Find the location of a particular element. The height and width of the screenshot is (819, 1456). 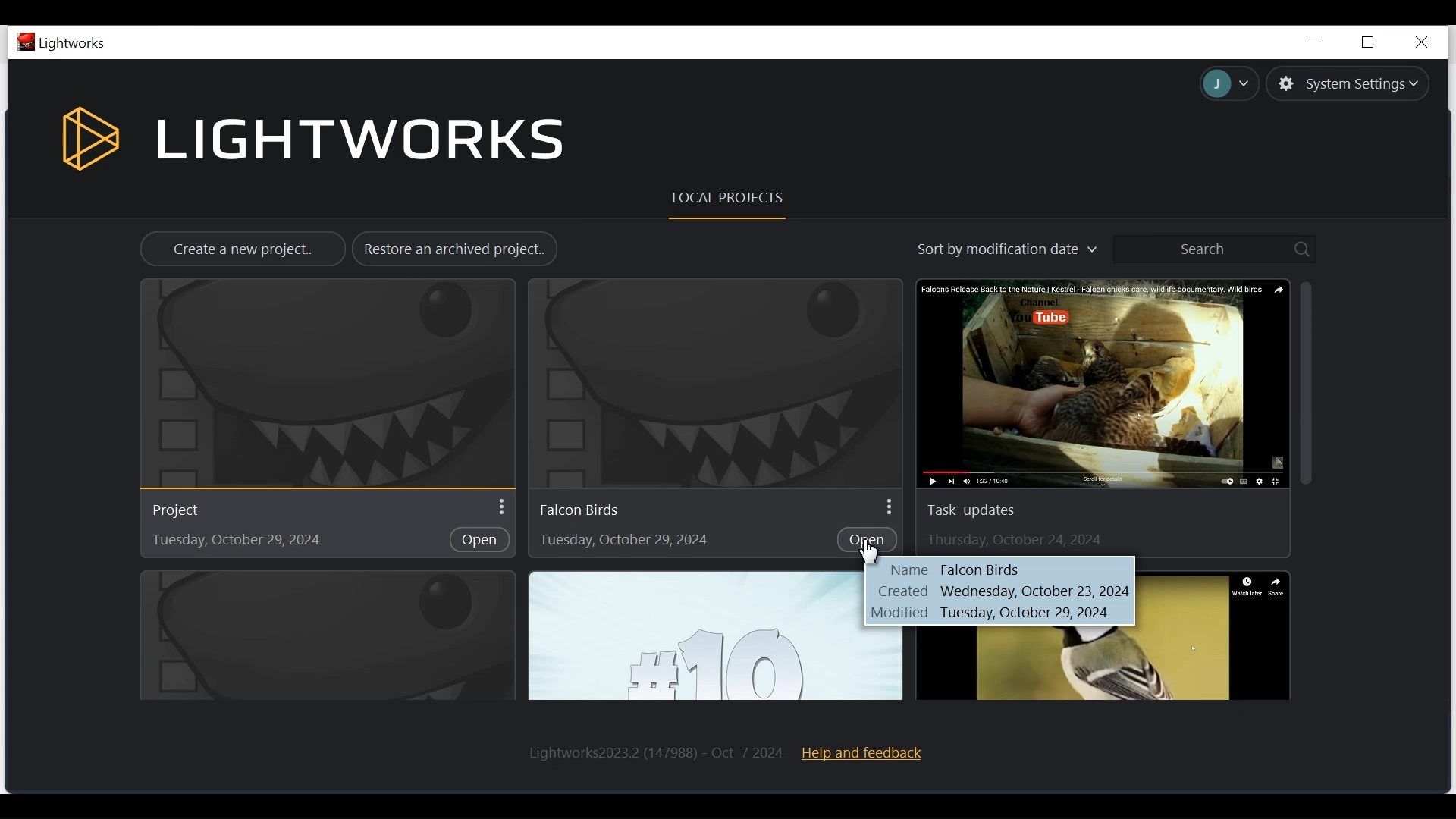

Close is located at coordinates (1420, 39).